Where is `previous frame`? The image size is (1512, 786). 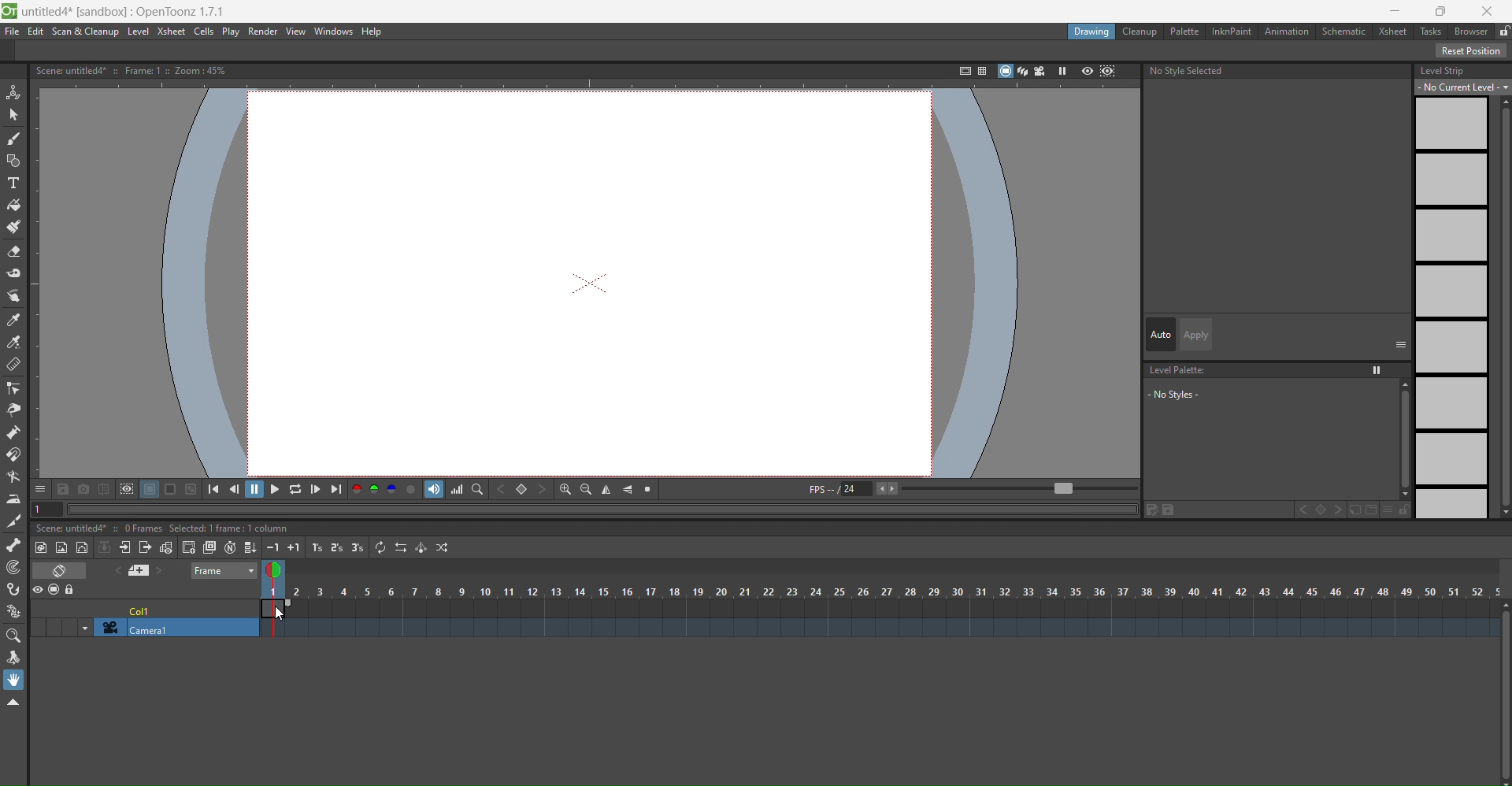
previous frame is located at coordinates (237, 488).